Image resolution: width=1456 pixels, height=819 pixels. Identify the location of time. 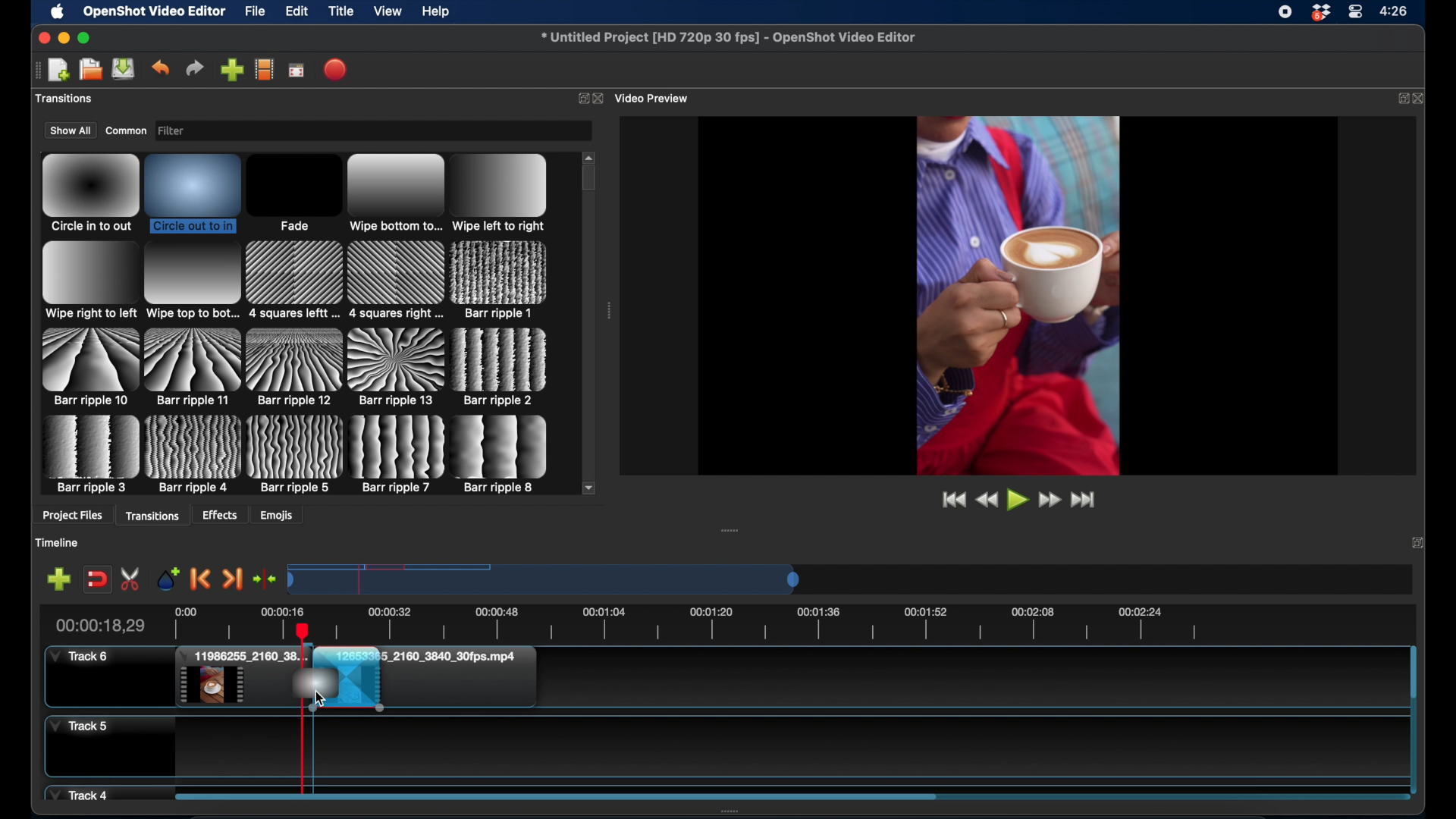
(1396, 10).